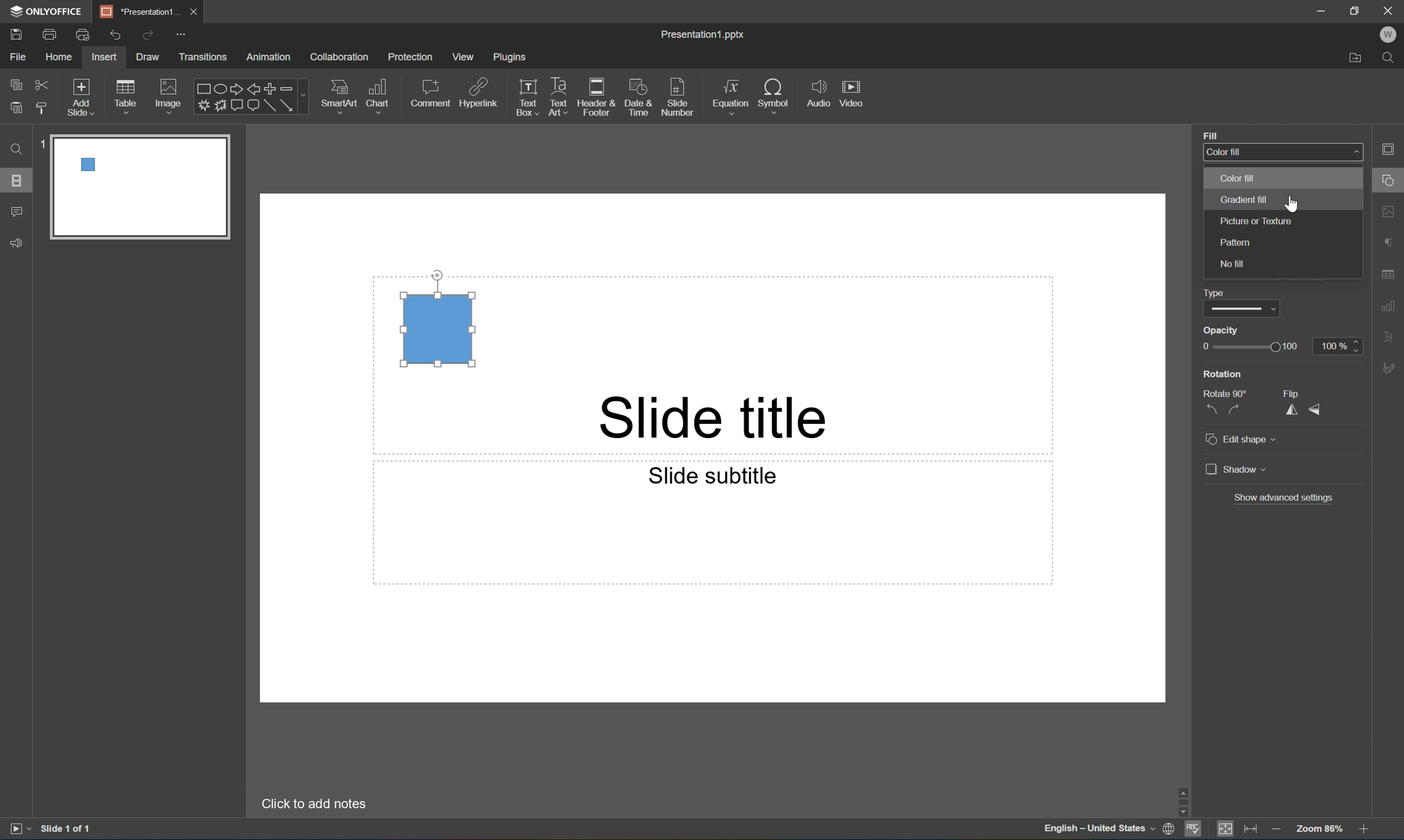 This screenshot has width=1404, height=840. What do you see at coordinates (82, 34) in the screenshot?
I see `Quick Print` at bounding box center [82, 34].